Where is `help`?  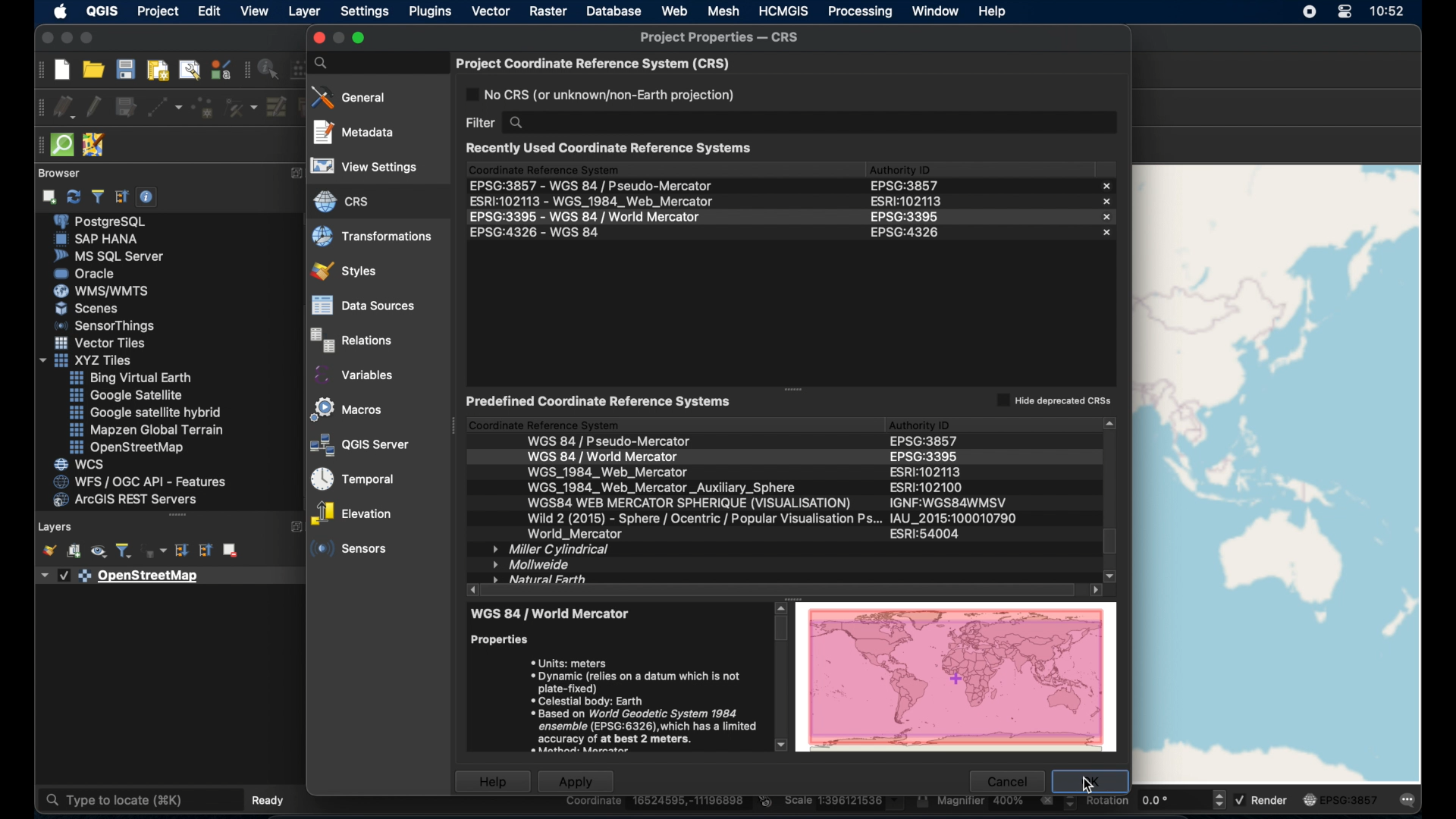 help is located at coordinates (493, 780).